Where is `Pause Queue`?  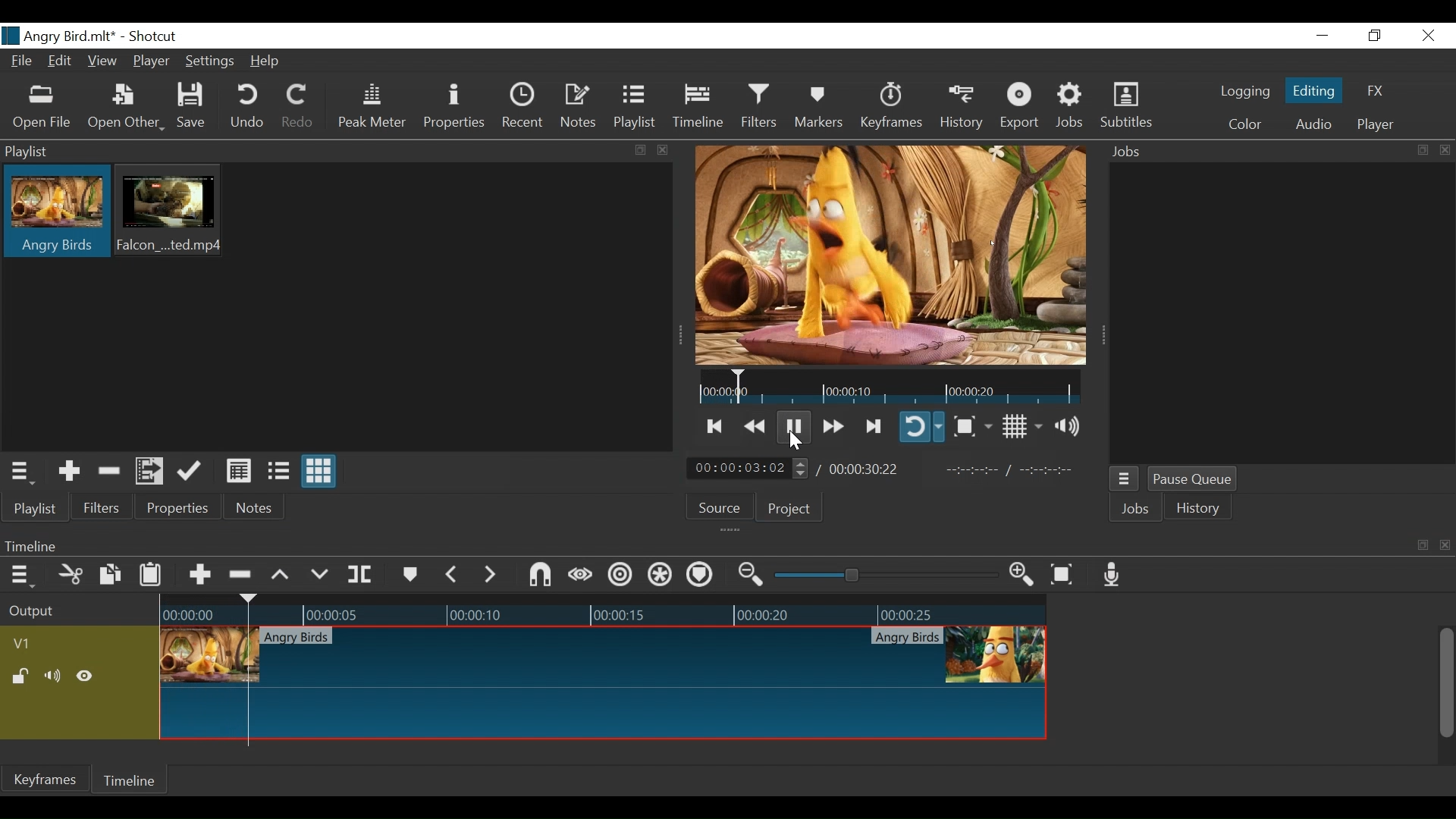 Pause Queue is located at coordinates (1193, 479).